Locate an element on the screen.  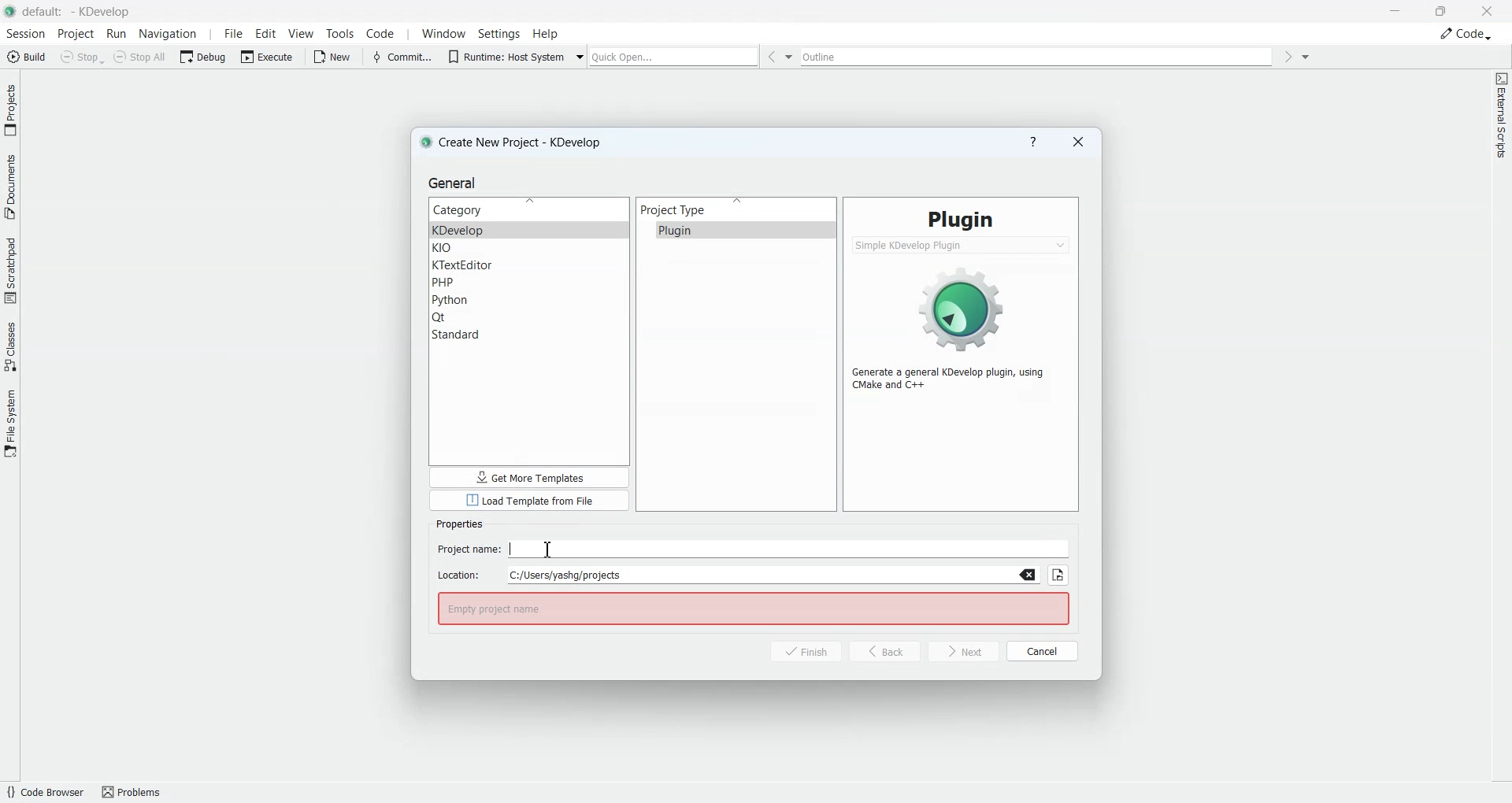
Maximize is located at coordinates (1442, 9).